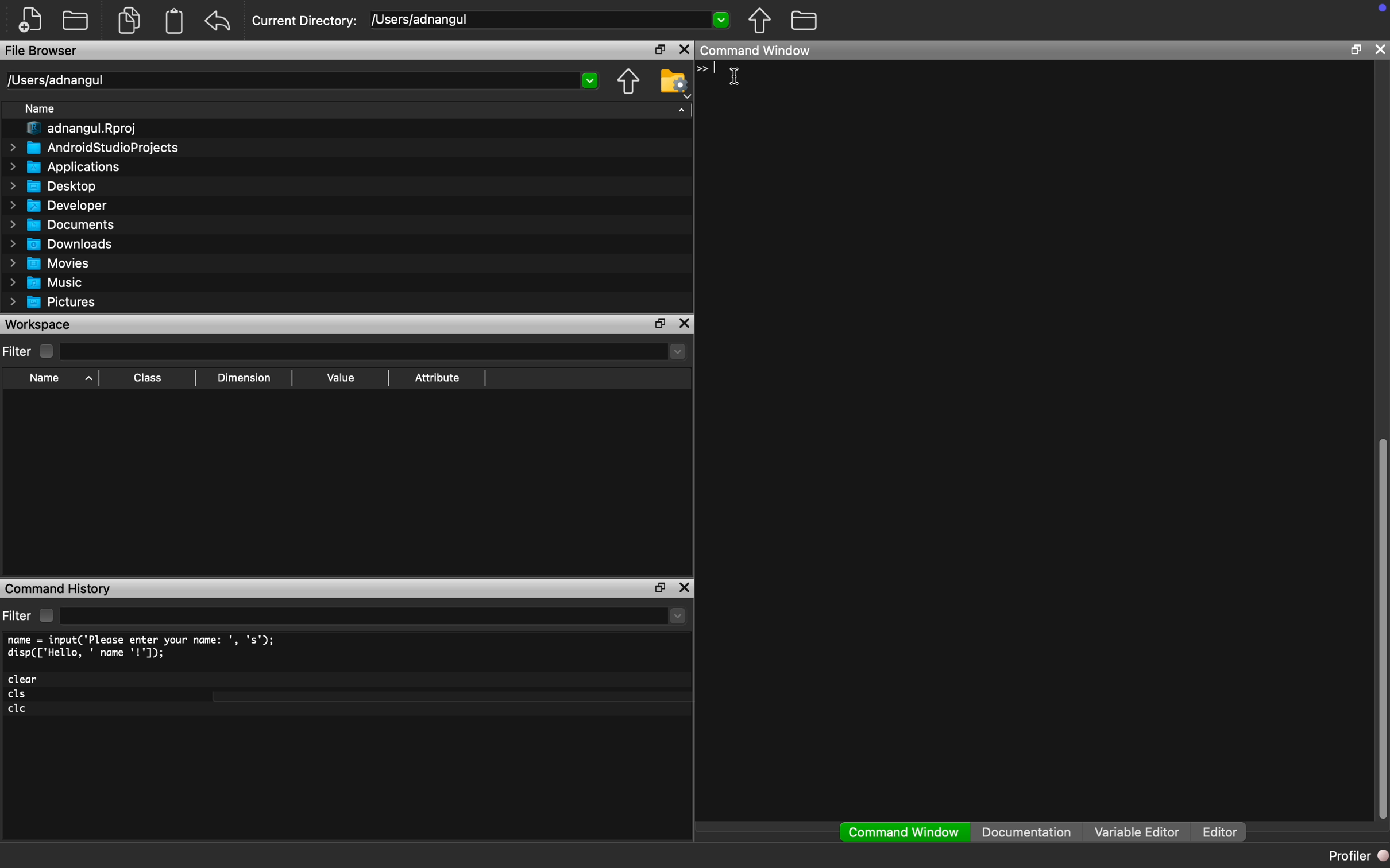  I want to click on Name , so click(58, 379).